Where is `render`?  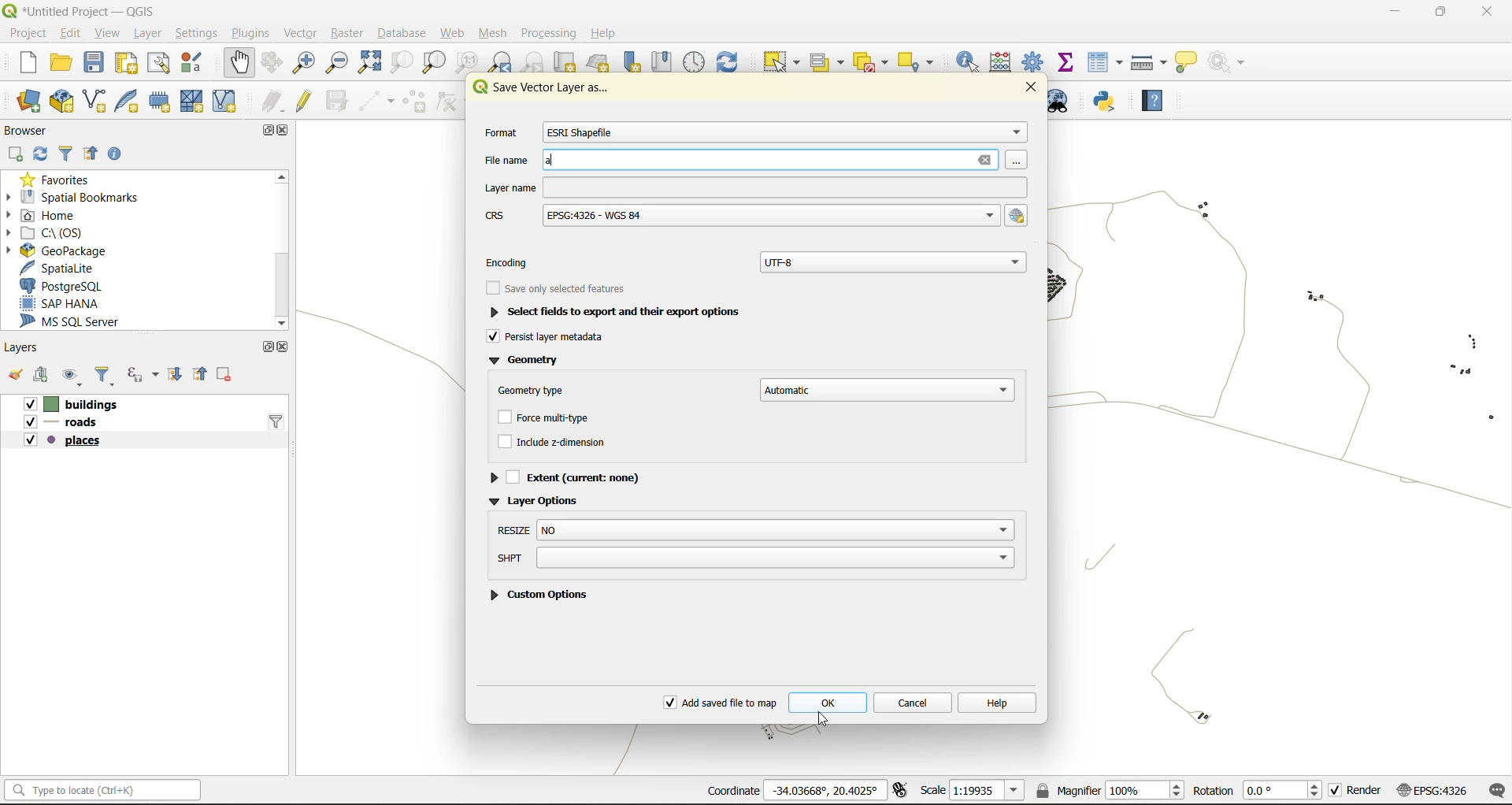 render is located at coordinates (1357, 790).